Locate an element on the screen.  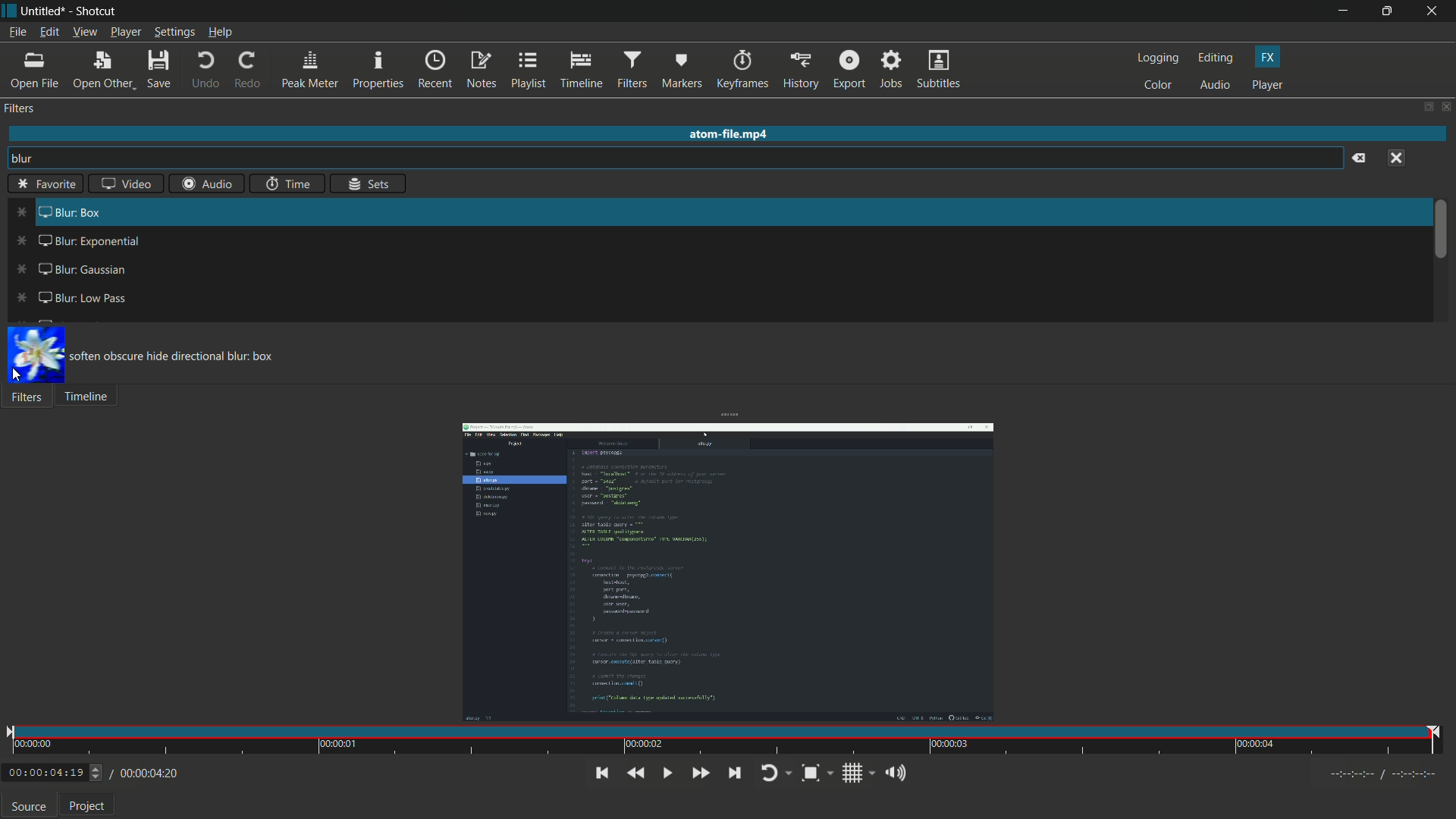
open other is located at coordinates (102, 73).